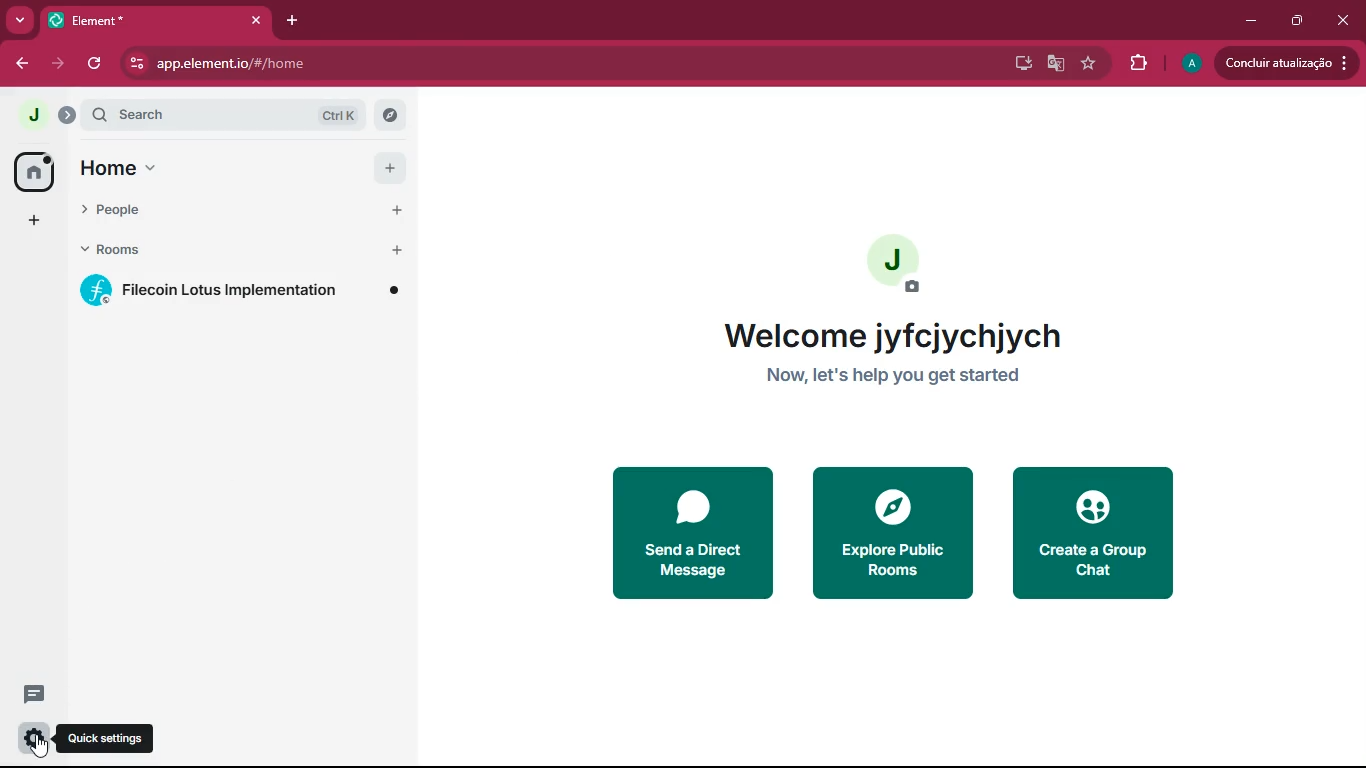 Image resolution: width=1366 pixels, height=768 pixels. Describe the element at coordinates (1092, 64) in the screenshot. I see `favourite` at that location.